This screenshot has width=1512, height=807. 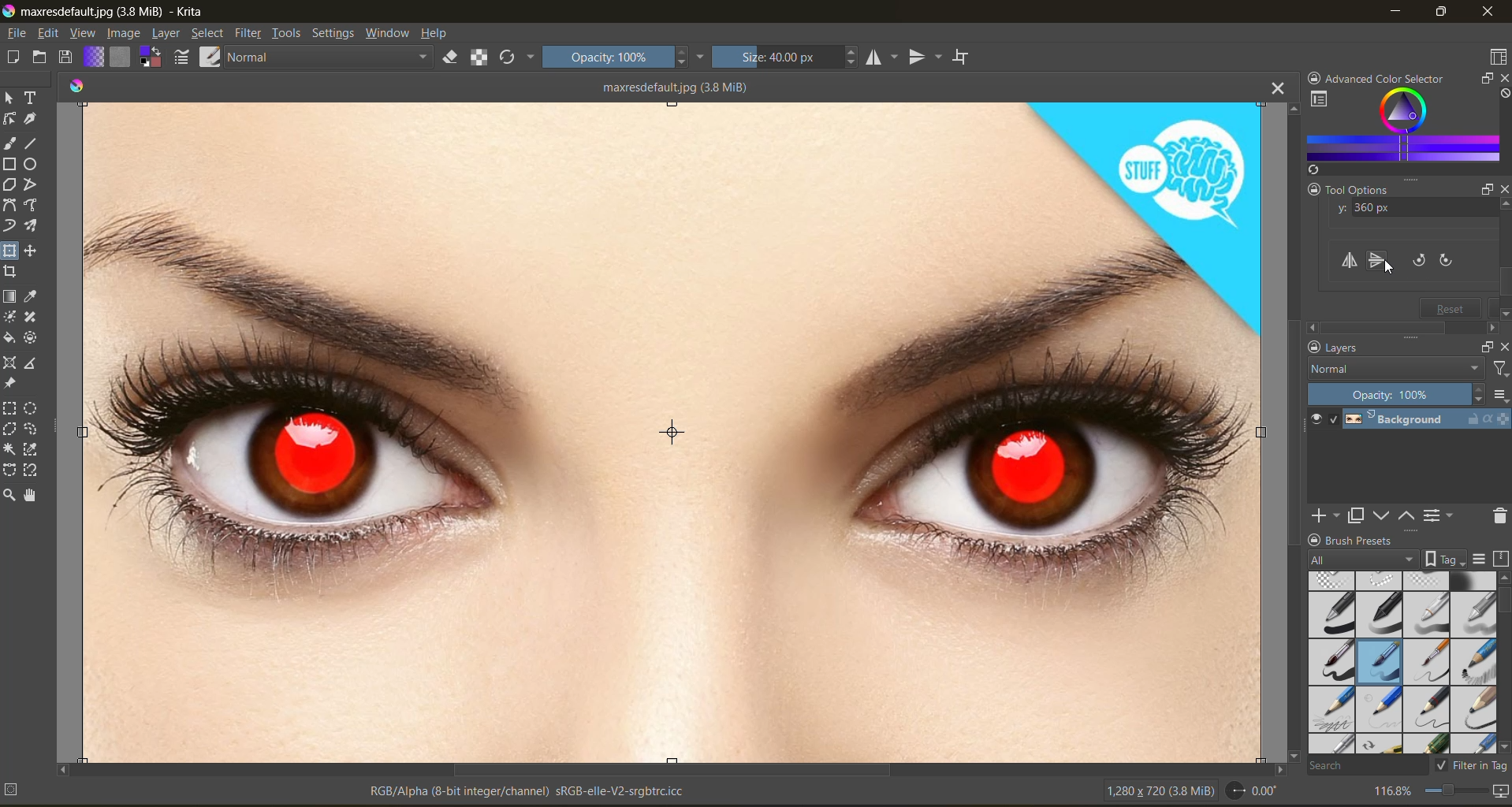 I want to click on choose workspace, so click(x=1498, y=57).